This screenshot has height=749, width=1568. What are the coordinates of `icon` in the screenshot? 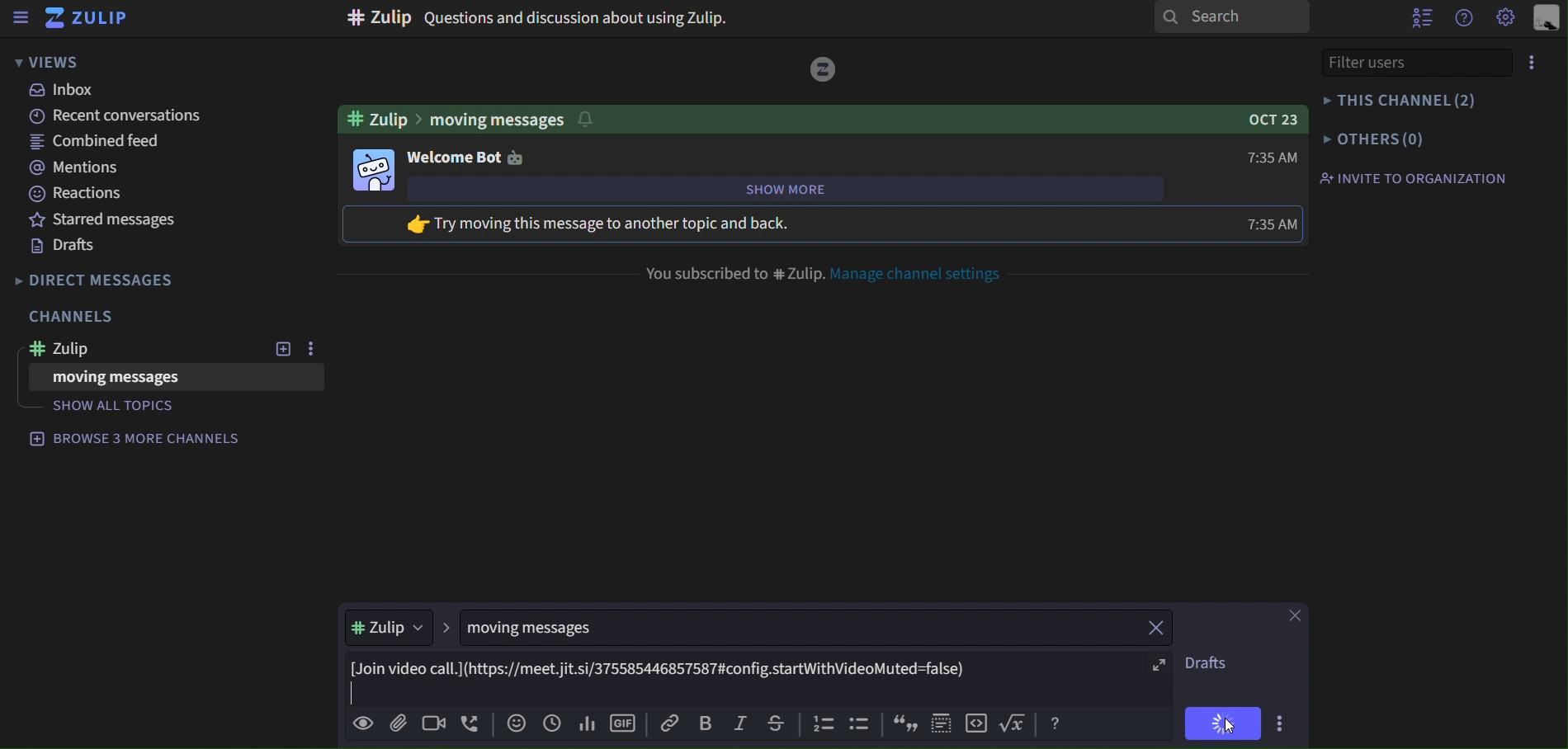 It's located at (942, 723).